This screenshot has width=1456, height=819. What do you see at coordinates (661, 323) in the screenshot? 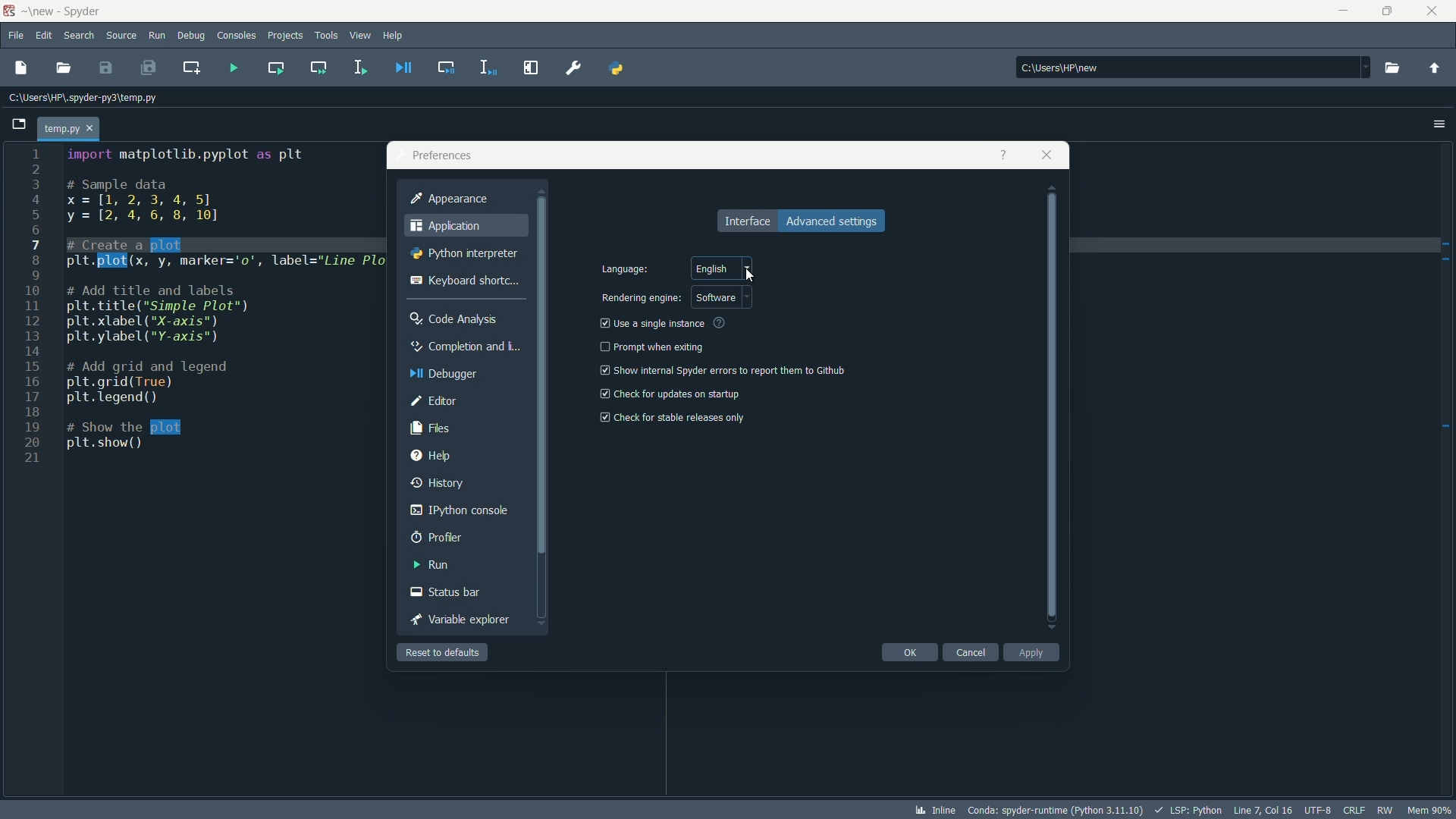
I see `use a single instance` at bounding box center [661, 323].